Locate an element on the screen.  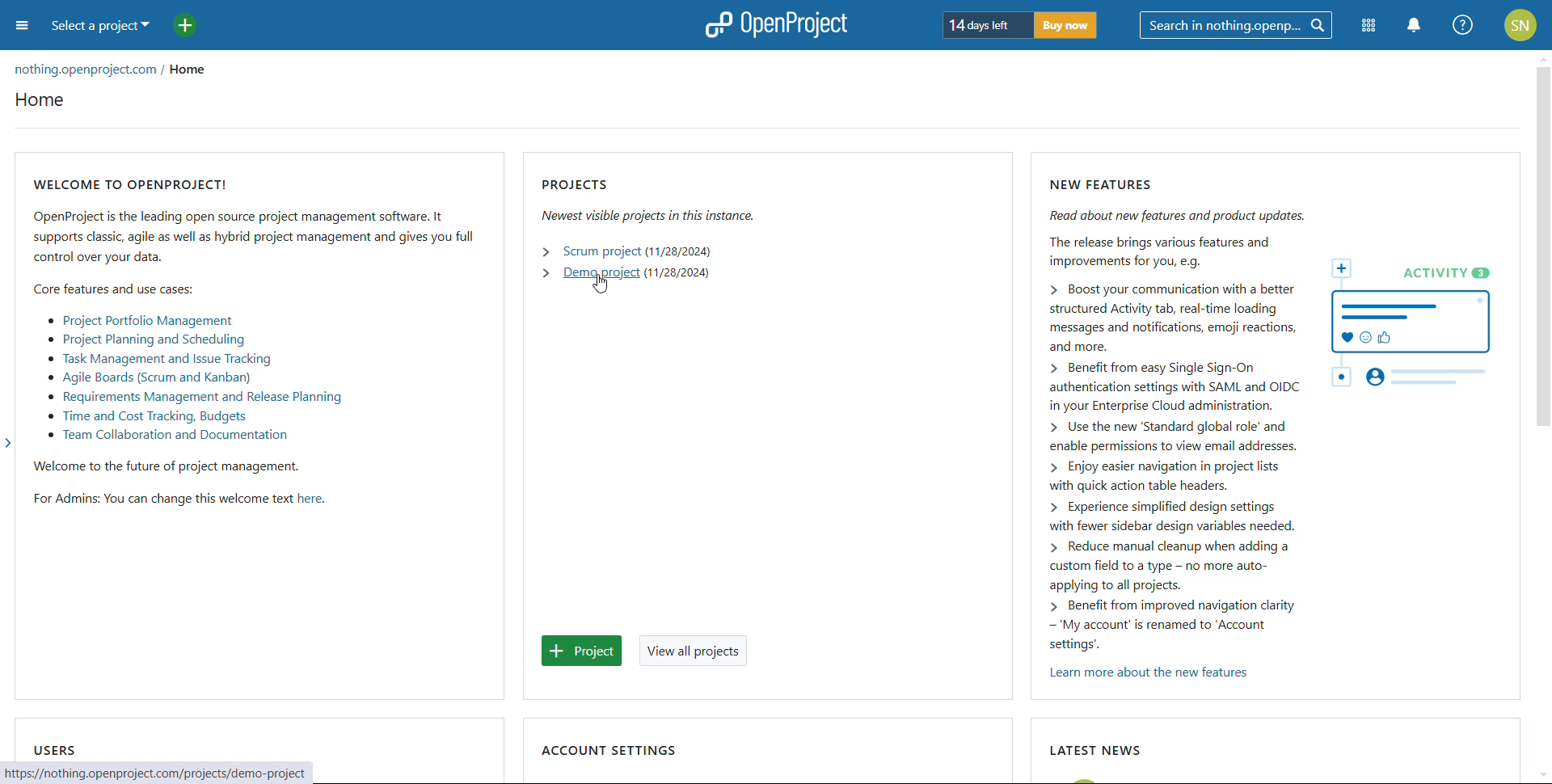
learn more about the new features is located at coordinates (1145, 672).